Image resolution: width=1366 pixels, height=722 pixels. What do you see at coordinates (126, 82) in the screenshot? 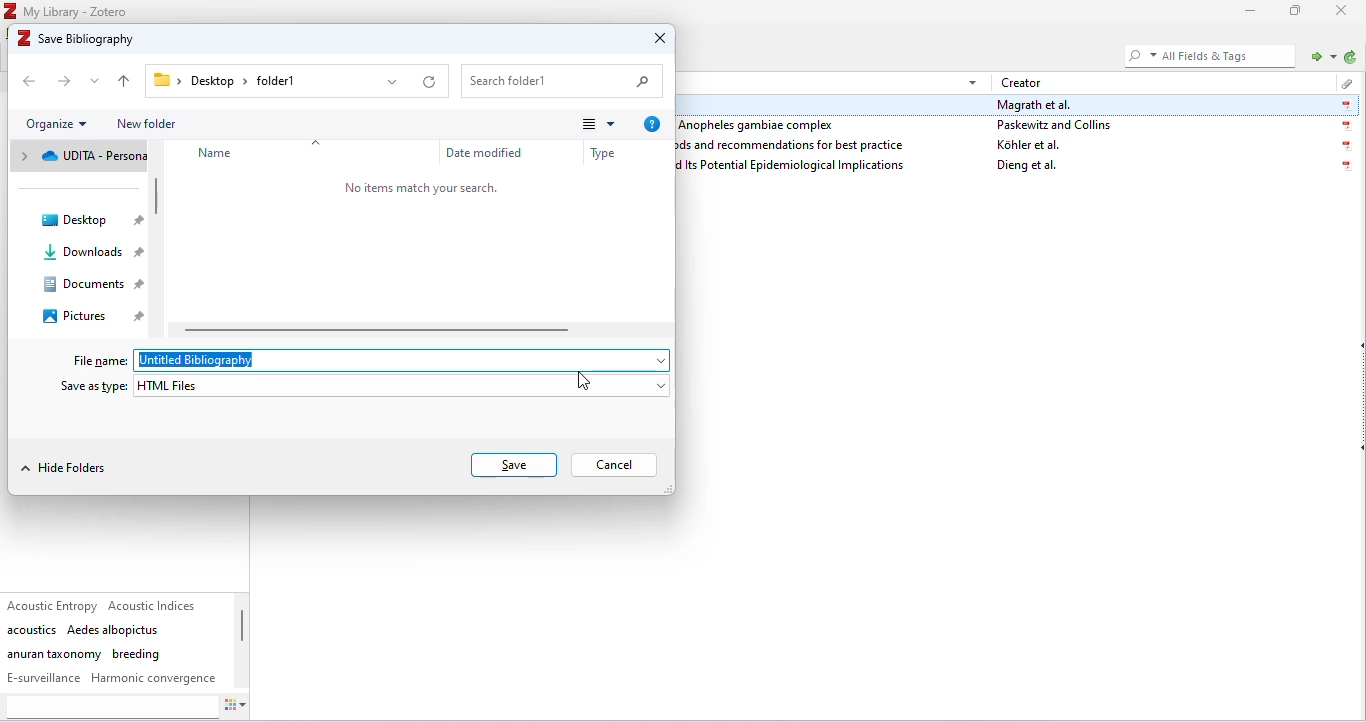
I see `up to previous folder` at bounding box center [126, 82].